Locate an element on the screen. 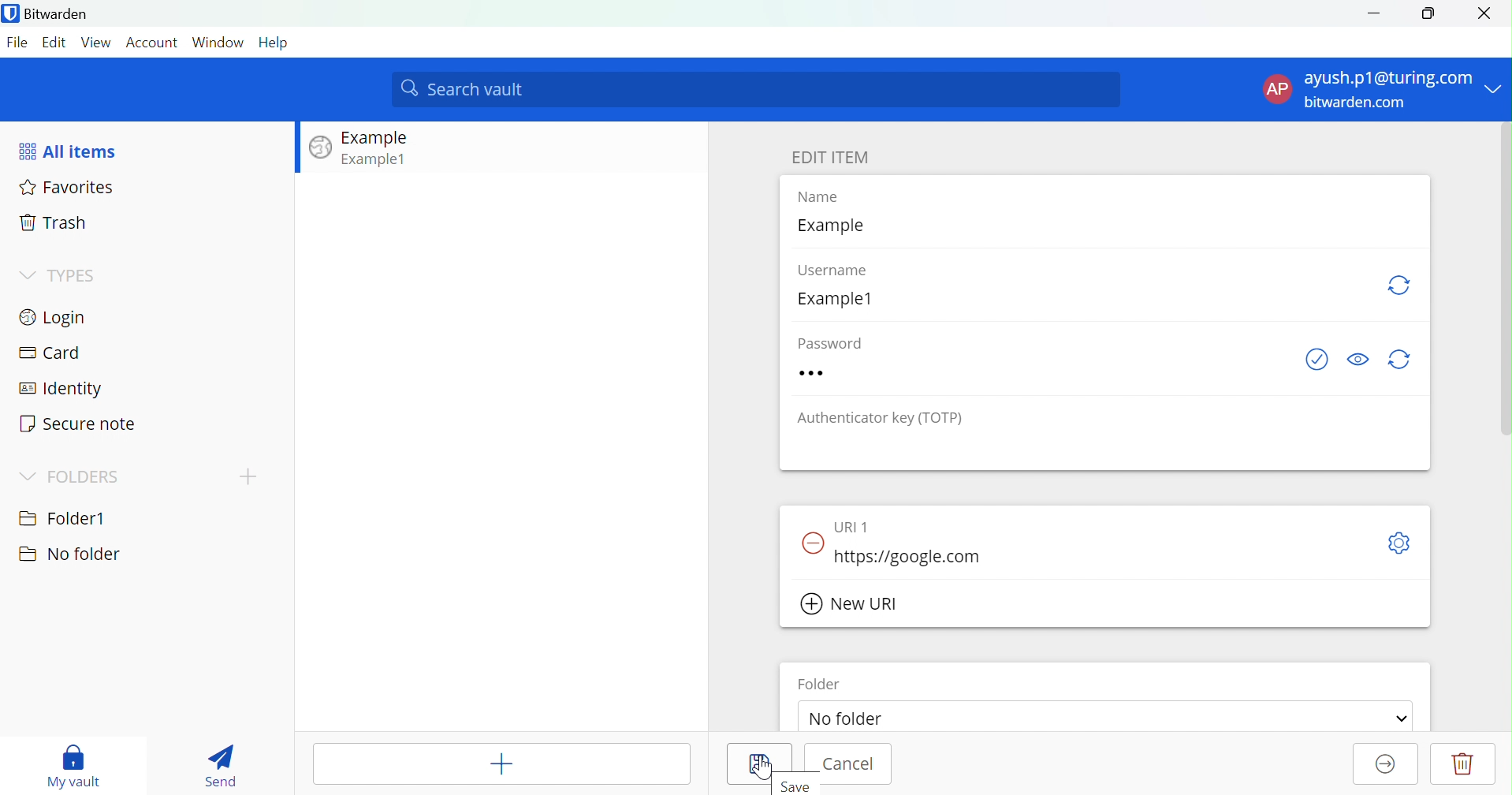  Secure note is located at coordinates (78, 424).